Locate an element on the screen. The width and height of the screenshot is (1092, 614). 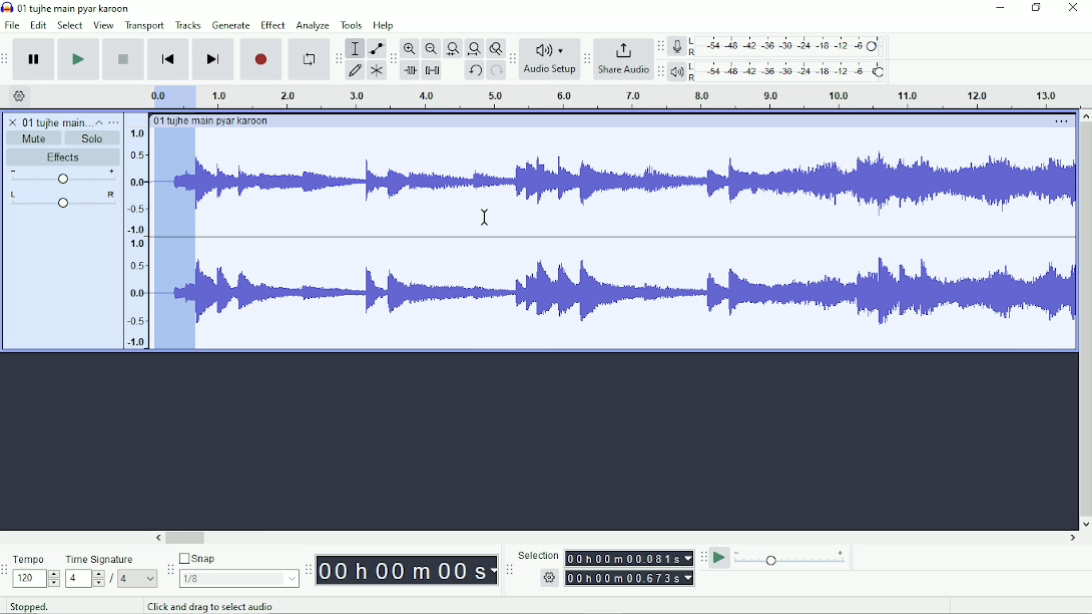
Audacity time signature toolbar is located at coordinates (7, 571).